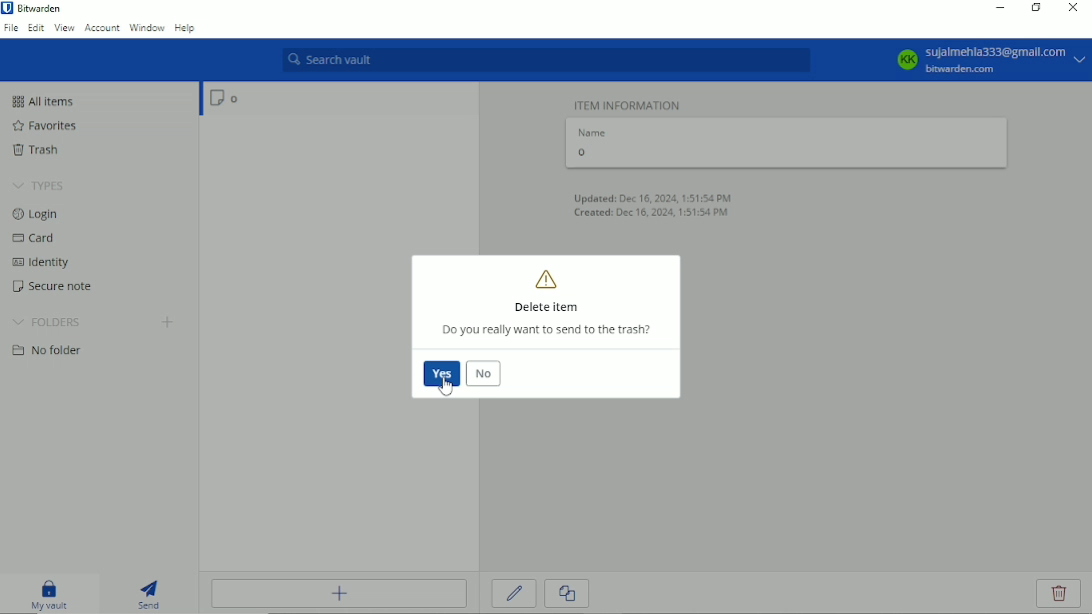  Describe the element at coordinates (1001, 10) in the screenshot. I see `Minimize` at that location.